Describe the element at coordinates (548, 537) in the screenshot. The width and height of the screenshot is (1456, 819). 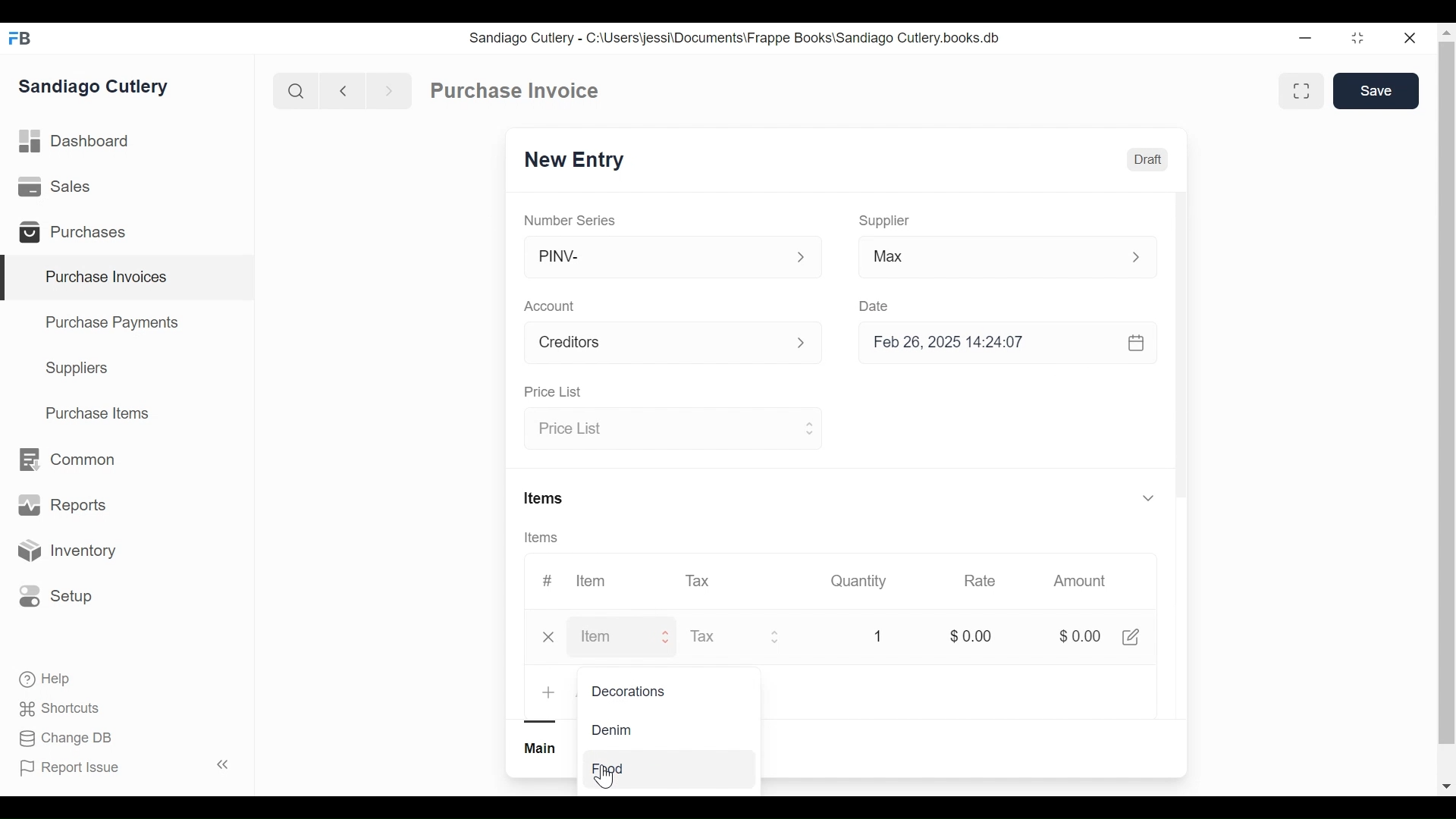
I see `Items` at that location.